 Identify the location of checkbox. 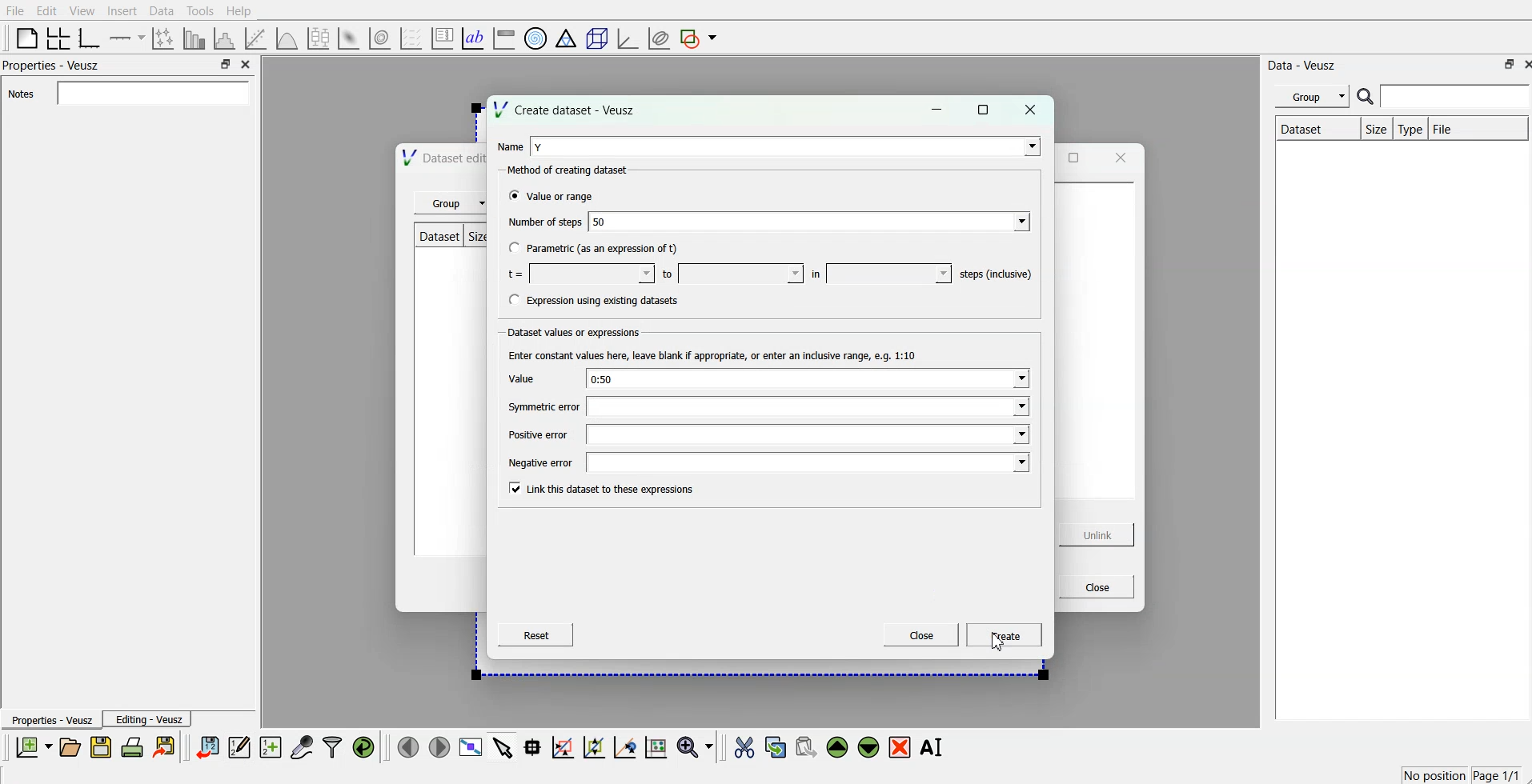
(515, 249).